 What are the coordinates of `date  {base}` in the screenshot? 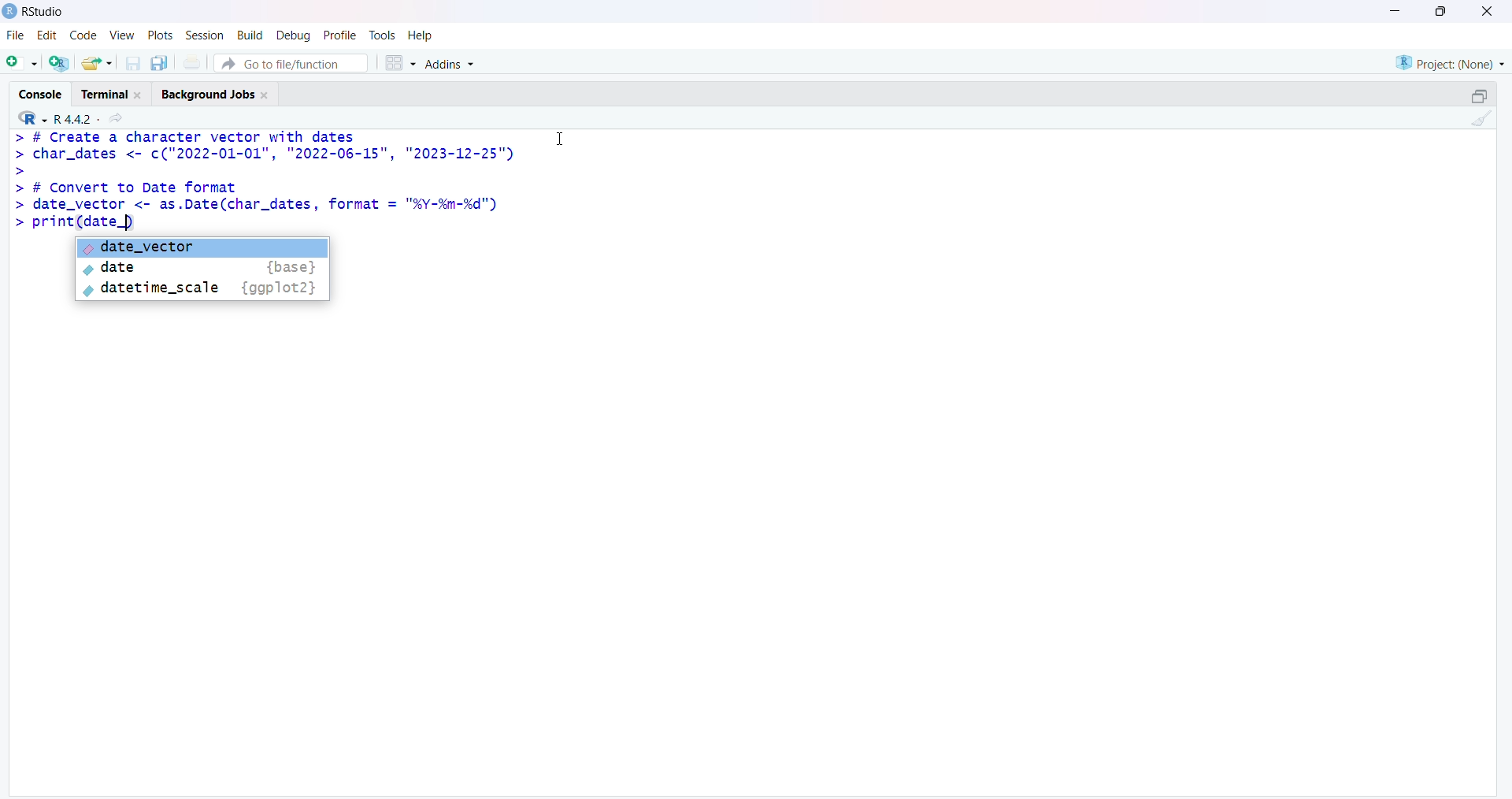 It's located at (202, 269).